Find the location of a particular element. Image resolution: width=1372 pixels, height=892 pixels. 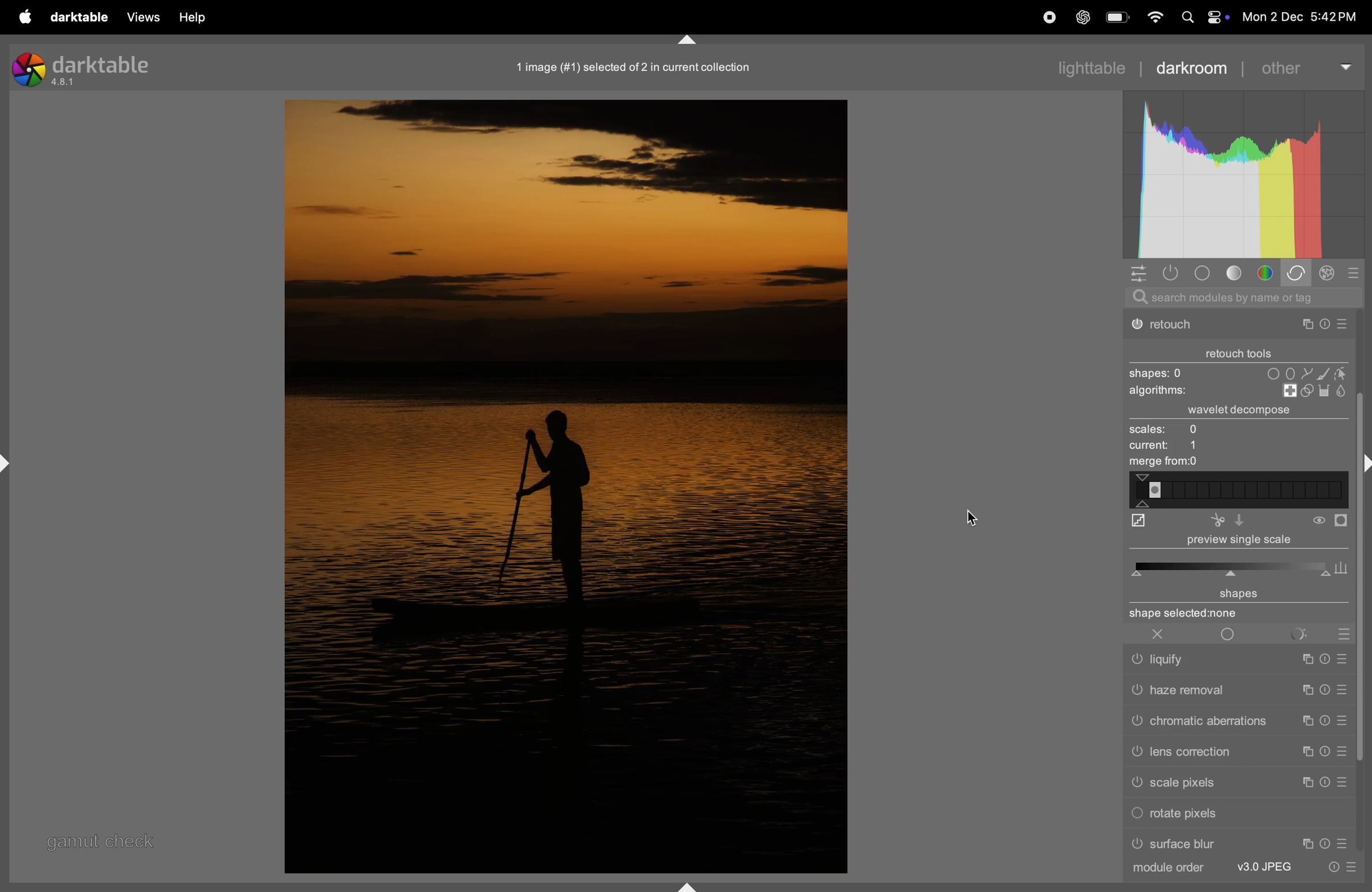

displaymask is located at coordinates (1330, 521).